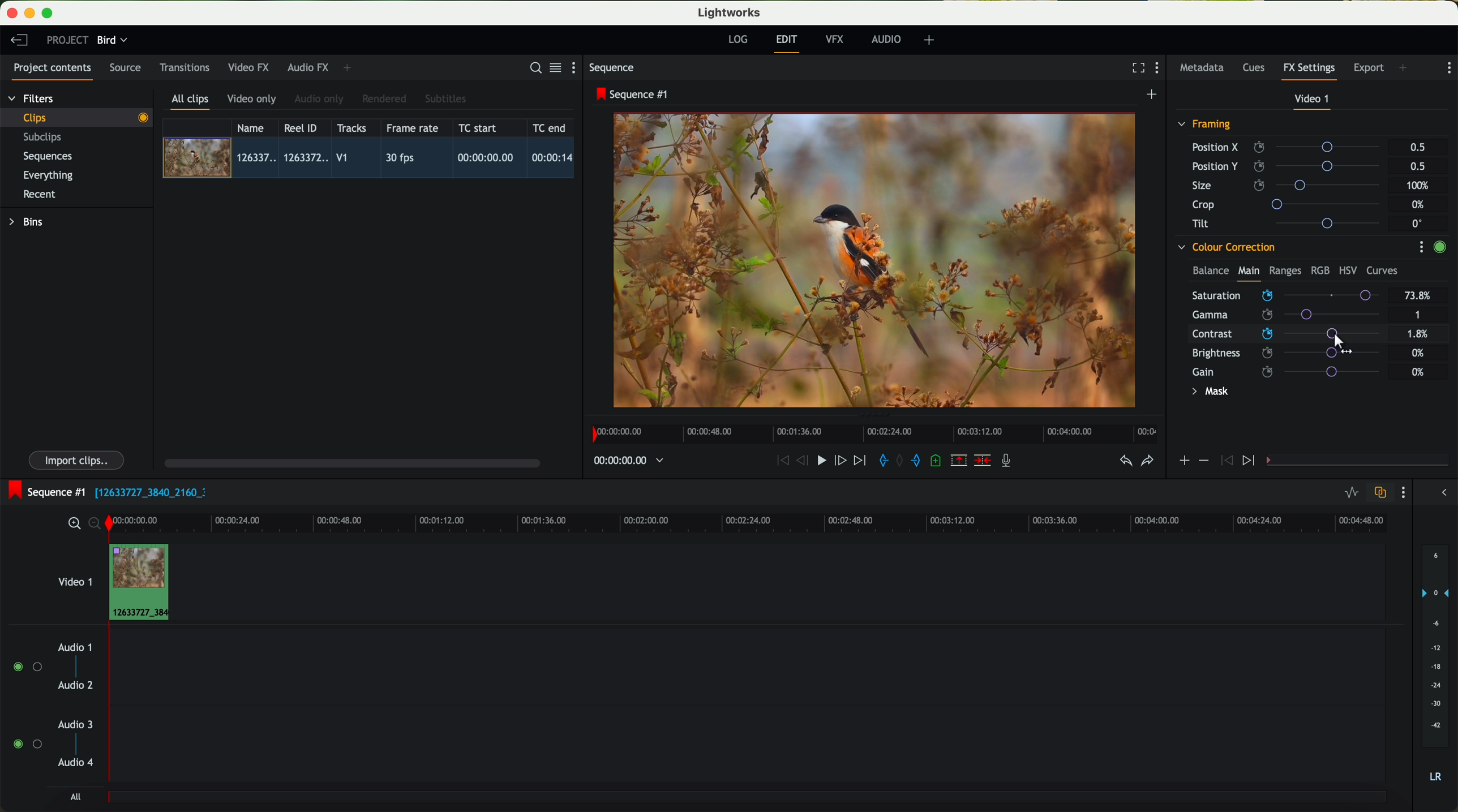 This screenshot has height=812, width=1458. What do you see at coordinates (49, 14) in the screenshot?
I see `maximize program` at bounding box center [49, 14].